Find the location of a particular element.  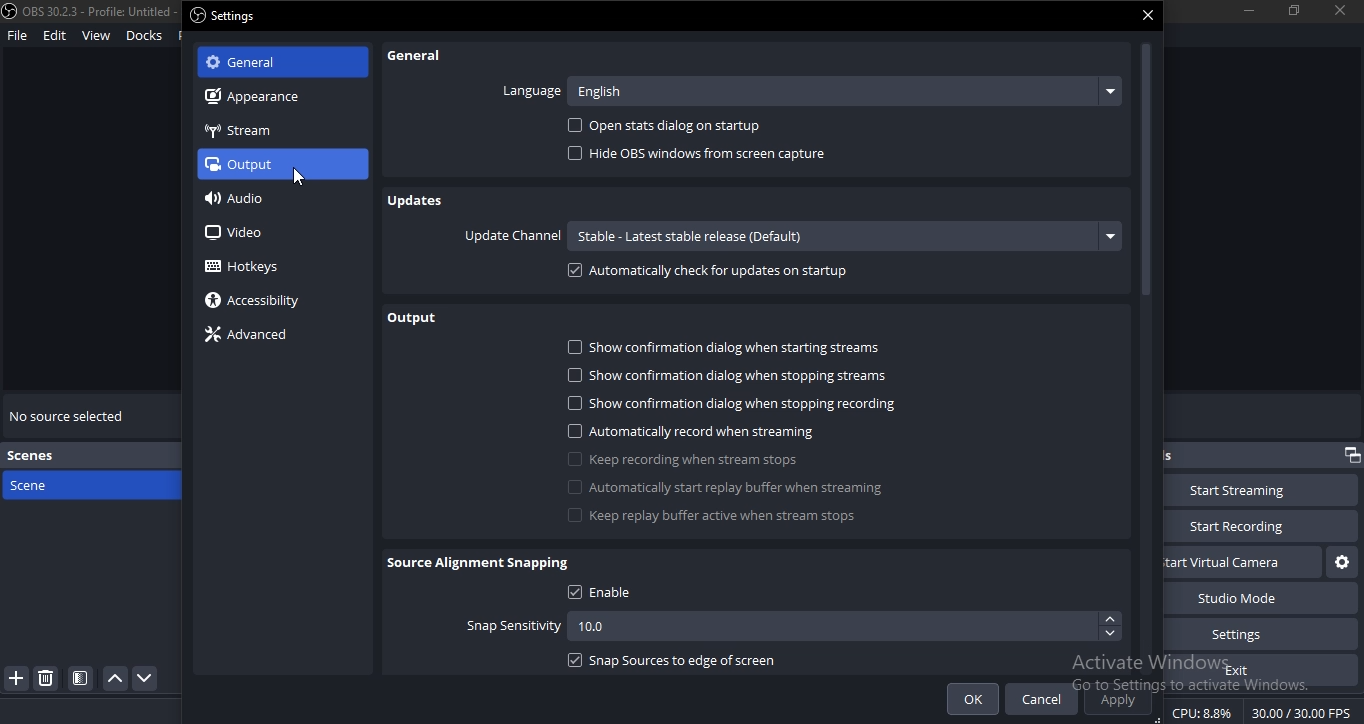

studio is located at coordinates (1251, 598).